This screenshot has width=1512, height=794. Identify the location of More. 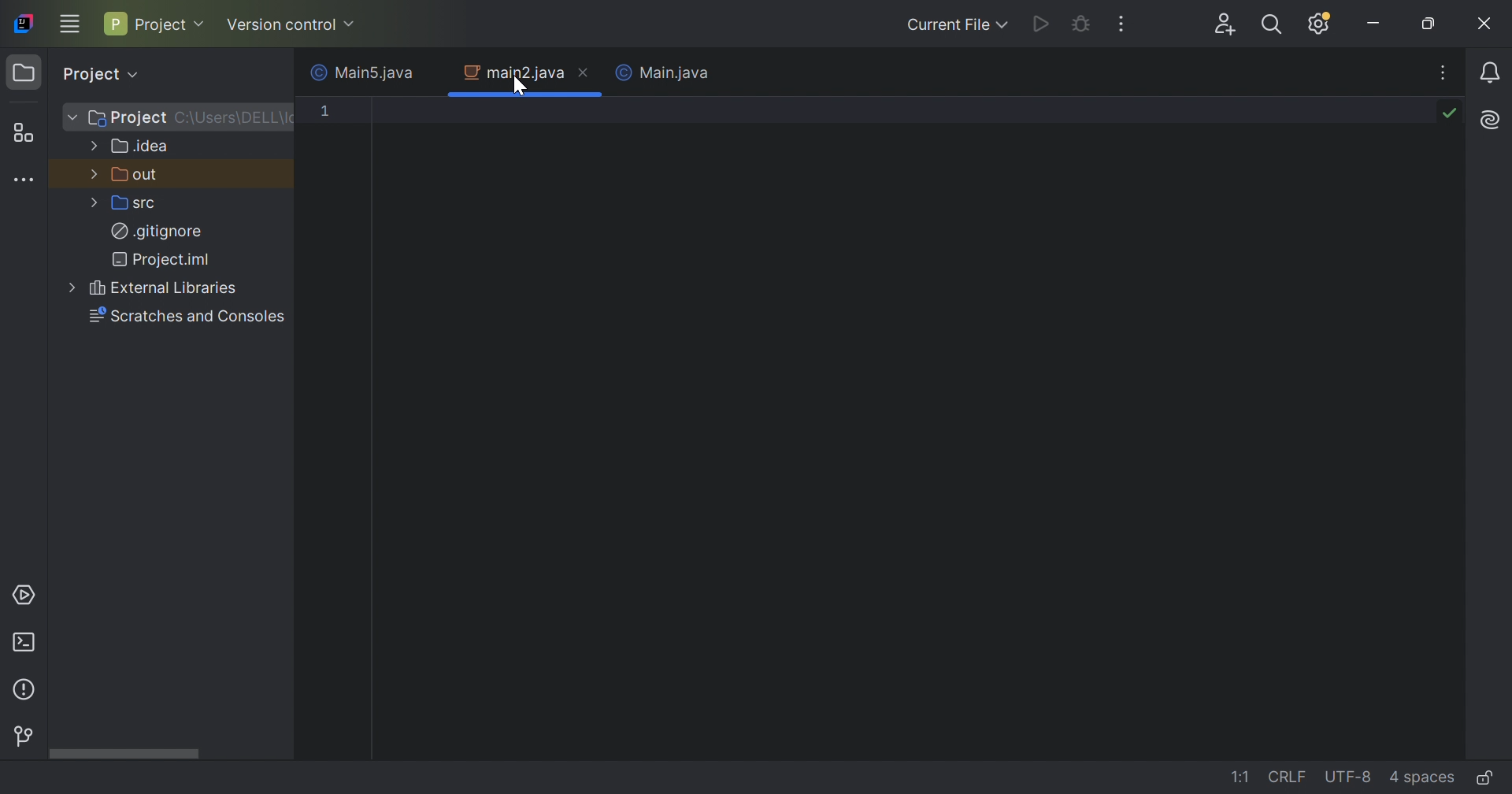
(95, 204).